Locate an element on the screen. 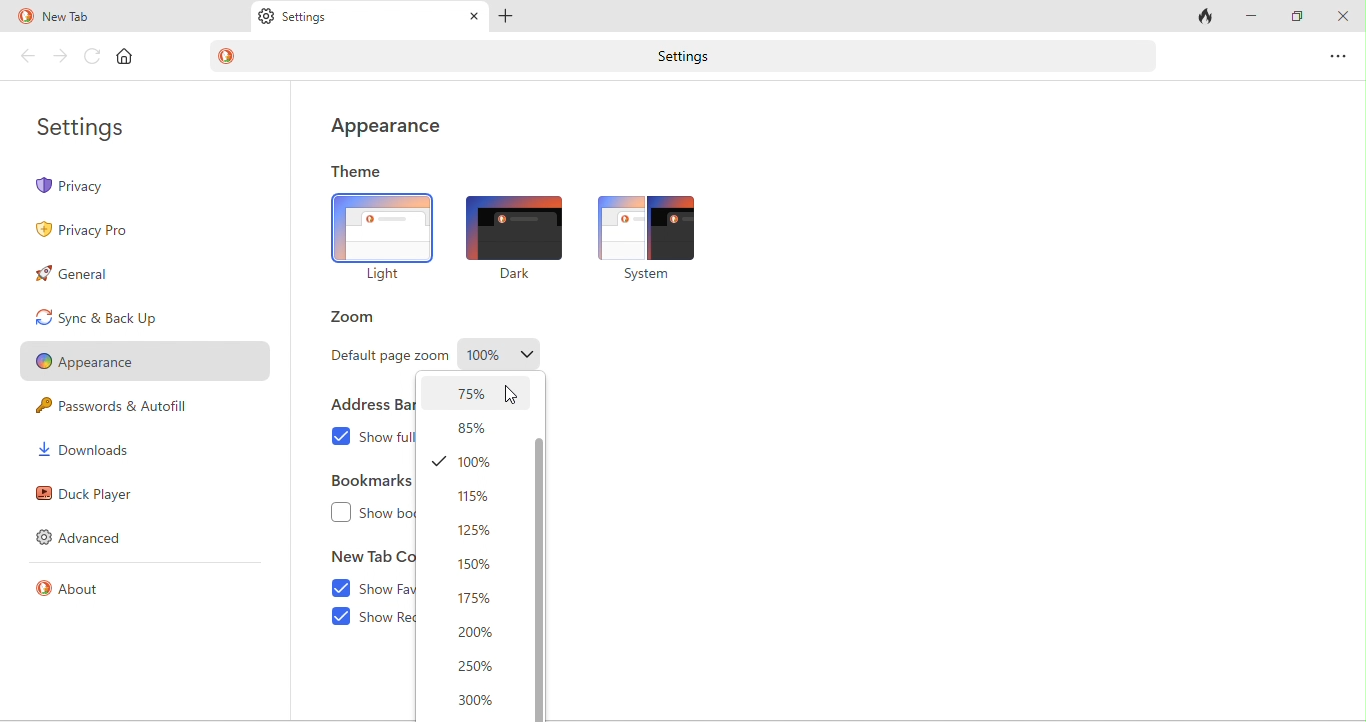 This screenshot has height=722, width=1366. address bar is located at coordinates (372, 403).